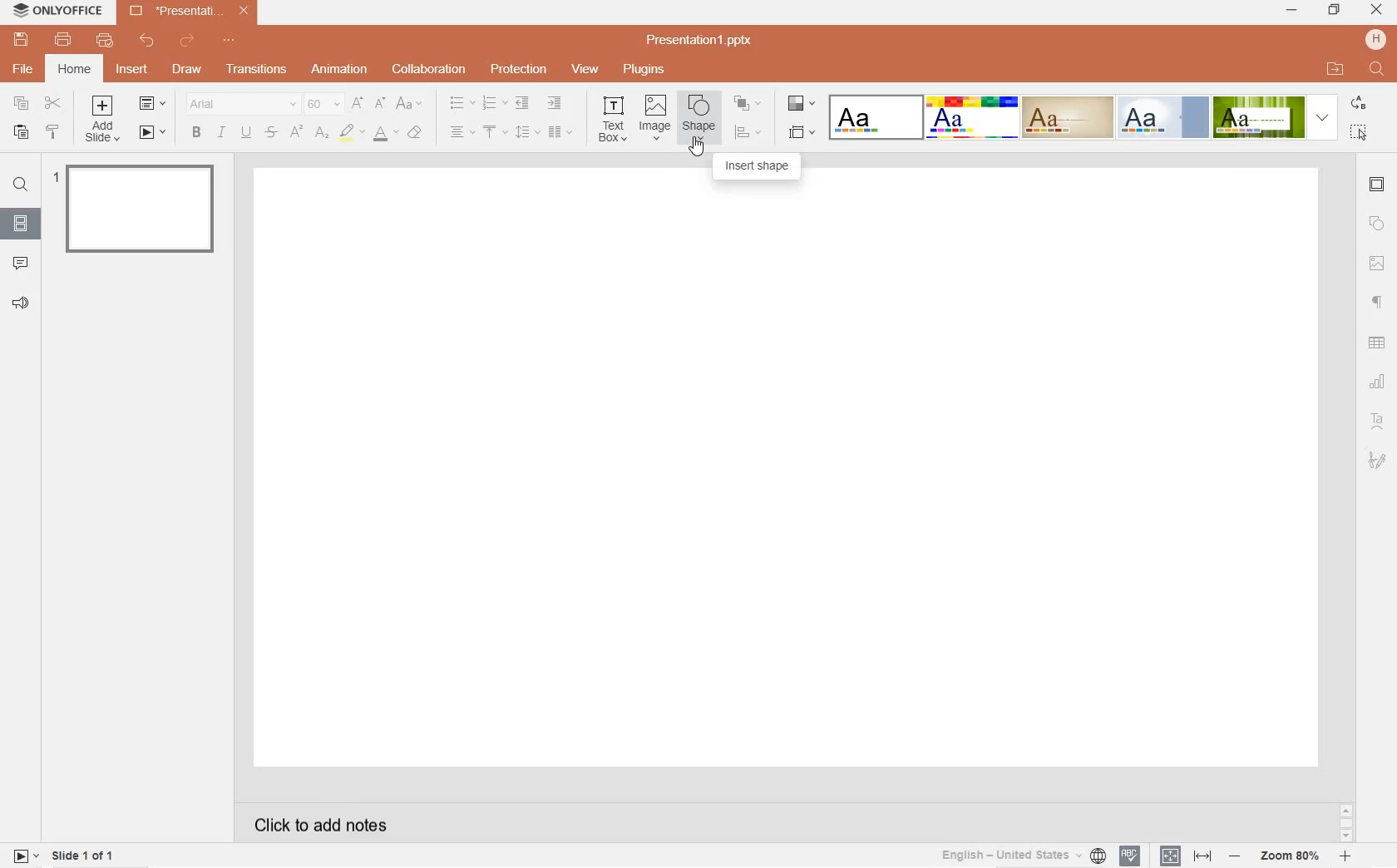 This screenshot has height=868, width=1397. What do you see at coordinates (1330, 10) in the screenshot?
I see `RESTORE` at bounding box center [1330, 10].